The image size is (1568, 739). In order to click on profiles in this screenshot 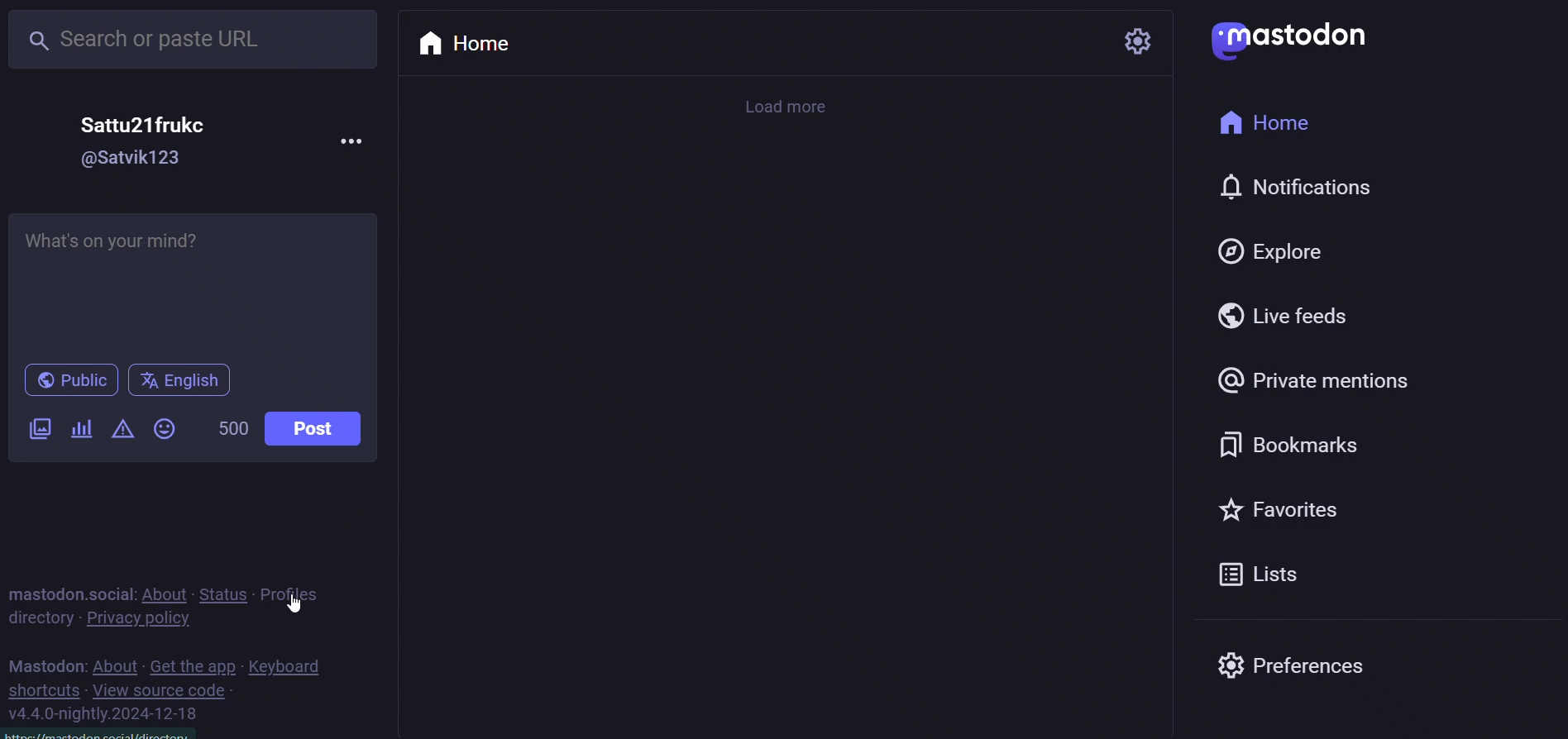, I will do `click(295, 594)`.